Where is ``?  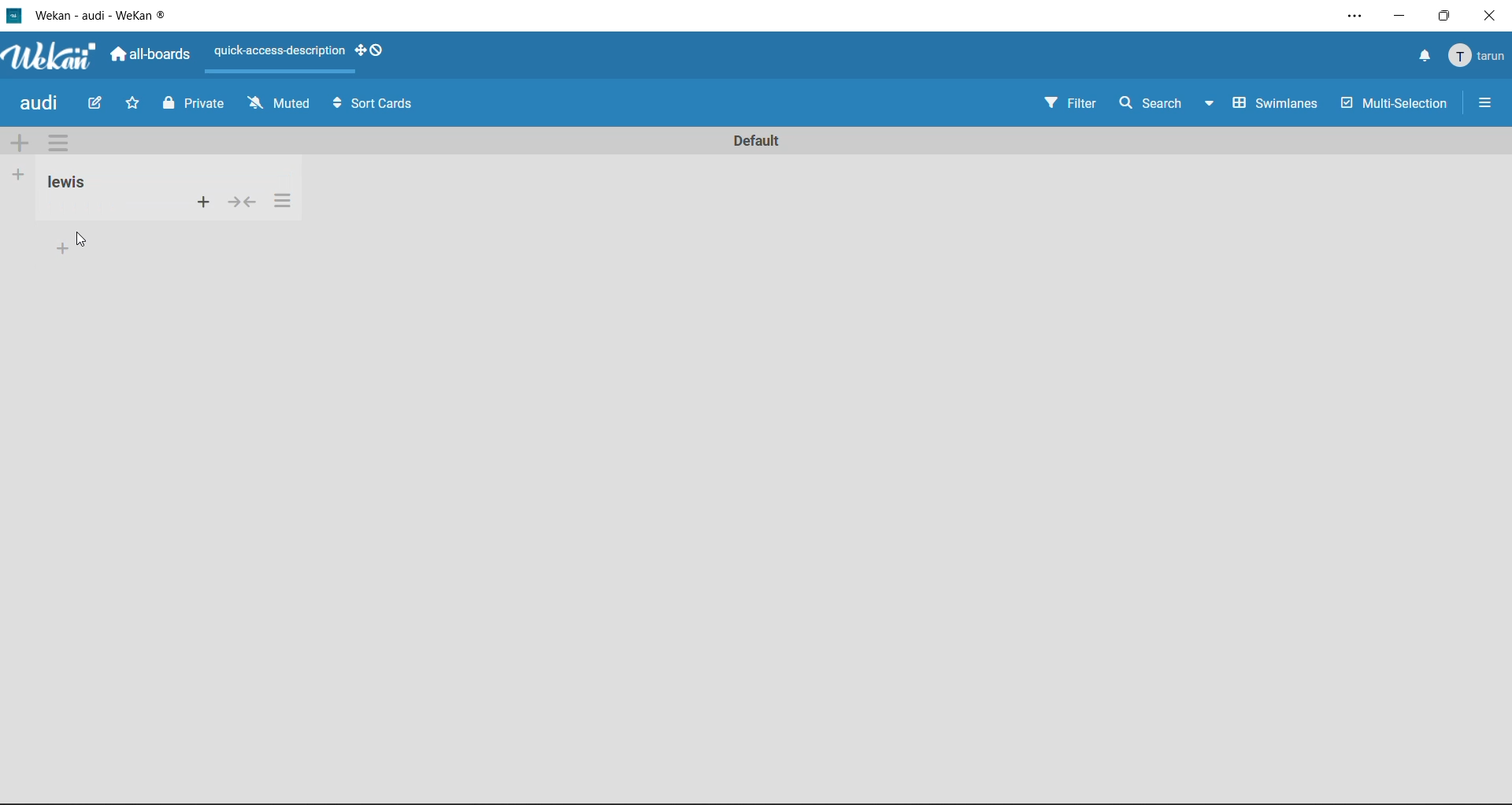
 is located at coordinates (65, 183).